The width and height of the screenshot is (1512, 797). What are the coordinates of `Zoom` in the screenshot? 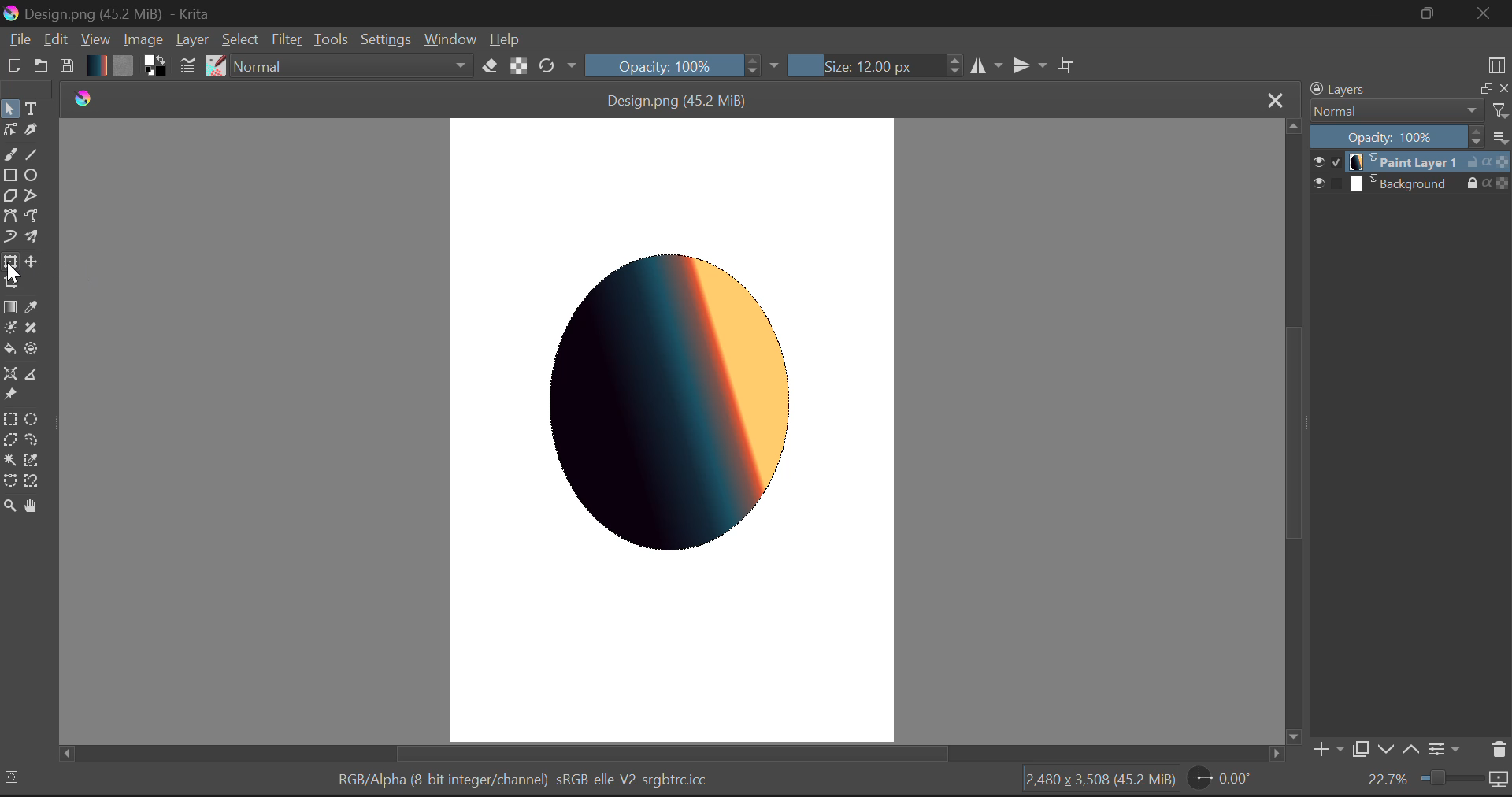 It's located at (1437, 781).